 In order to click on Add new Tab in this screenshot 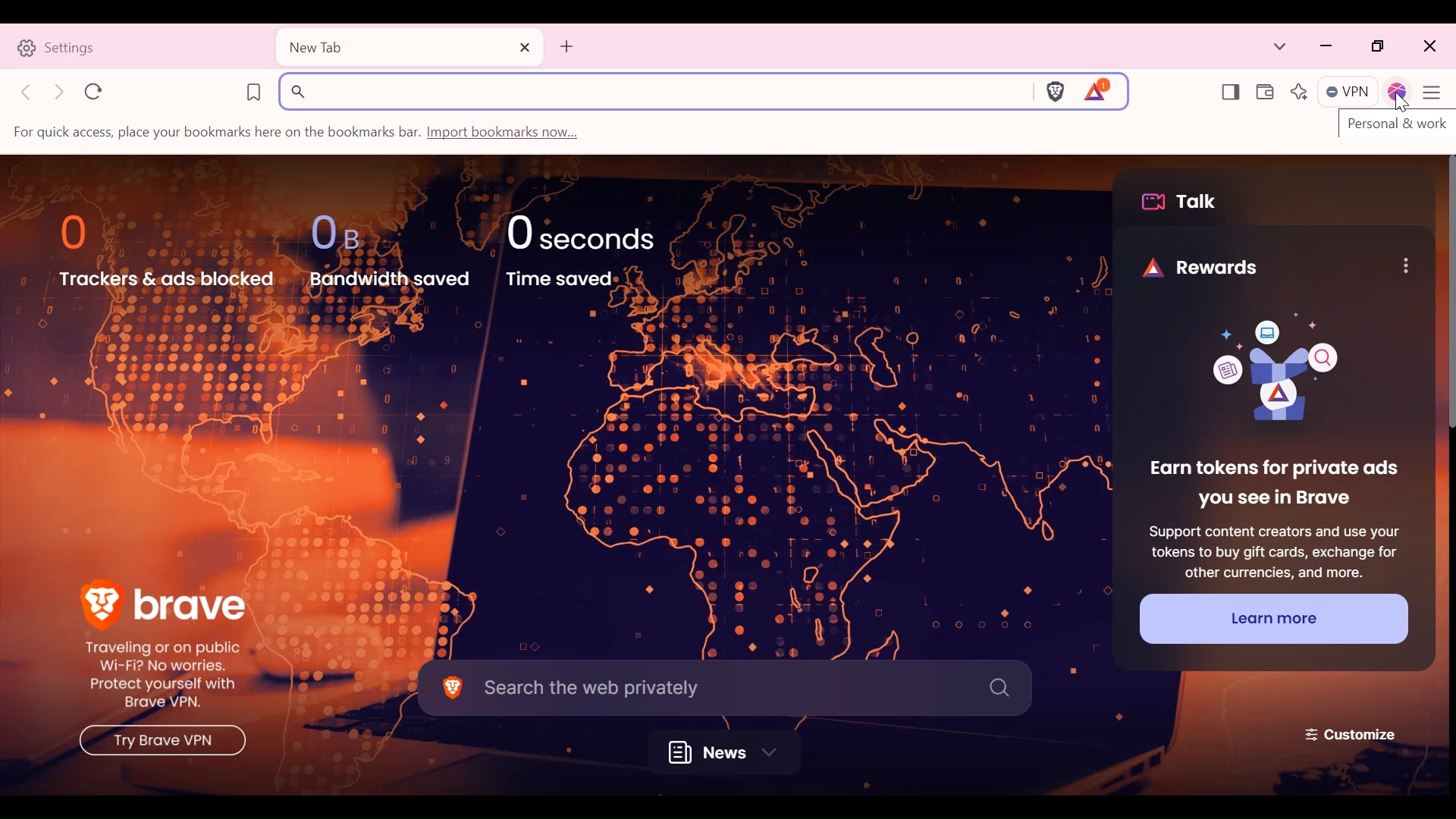, I will do `click(566, 46)`.